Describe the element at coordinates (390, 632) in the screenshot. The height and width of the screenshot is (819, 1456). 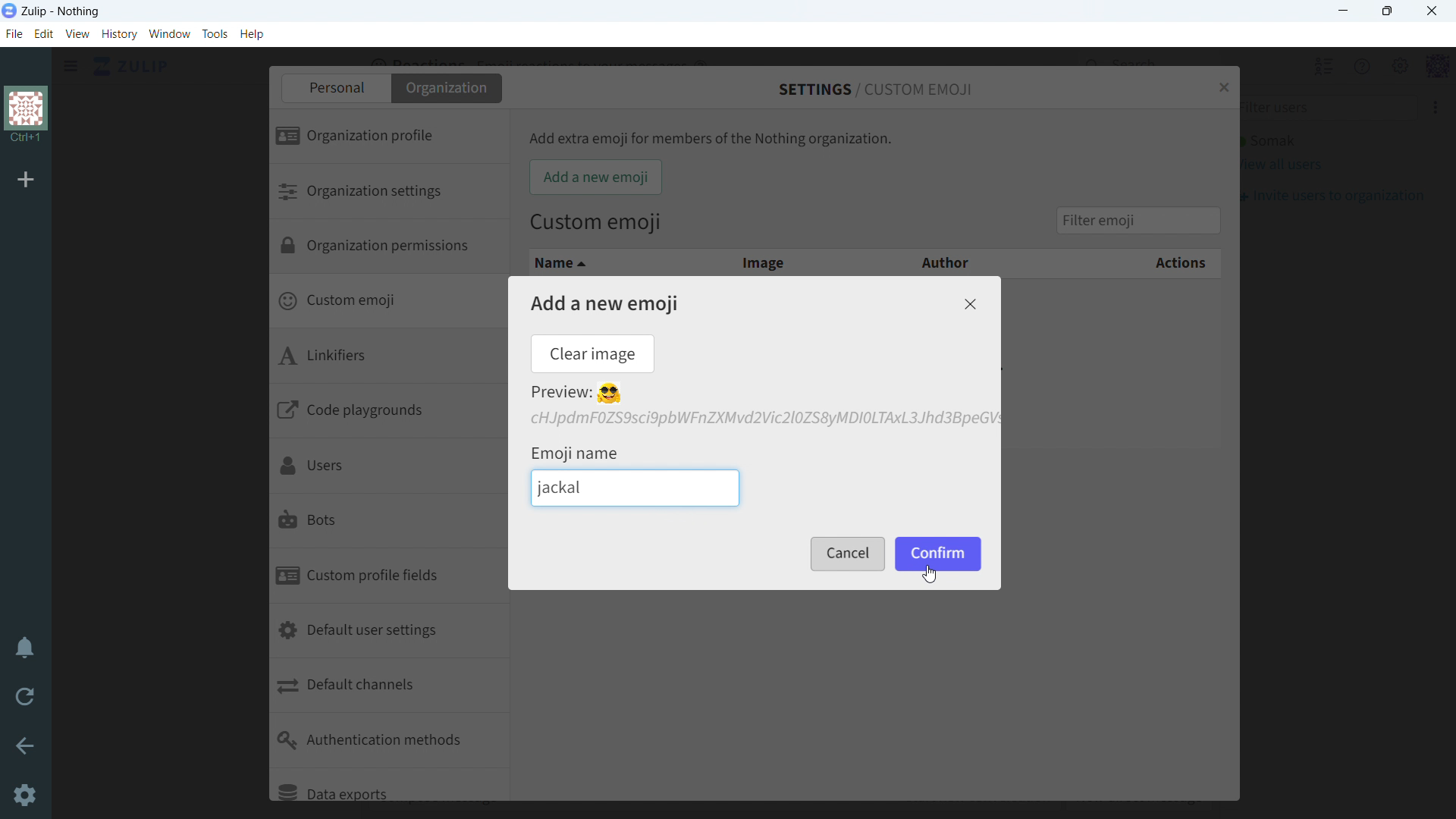
I see `default user settings` at that location.